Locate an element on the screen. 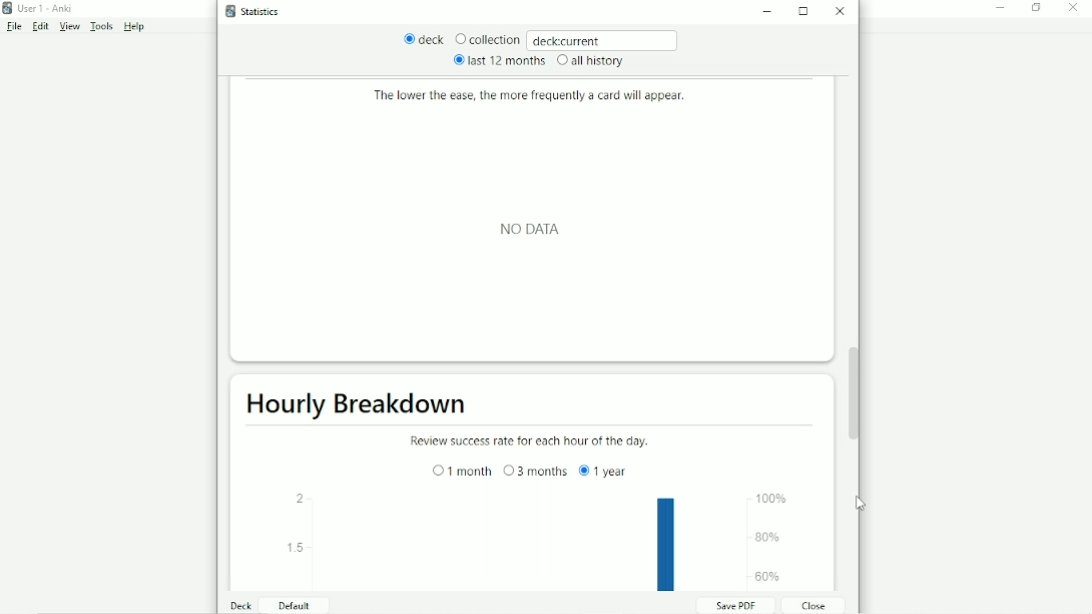 The width and height of the screenshot is (1092, 614). Maximize is located at coordinates (805, 11).